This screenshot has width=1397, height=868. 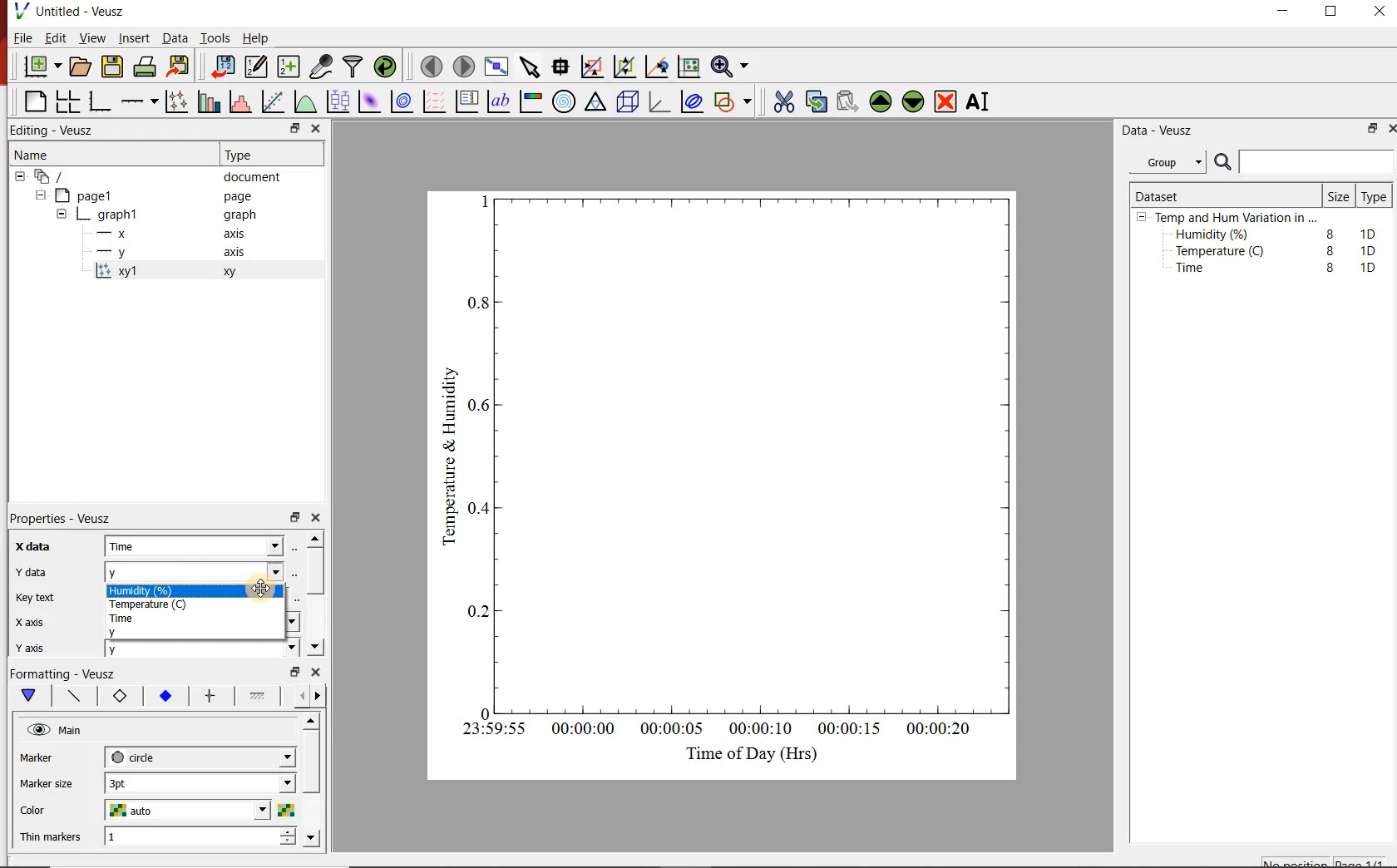 I want to click on 00:00:20, so click(x=945, y=730).